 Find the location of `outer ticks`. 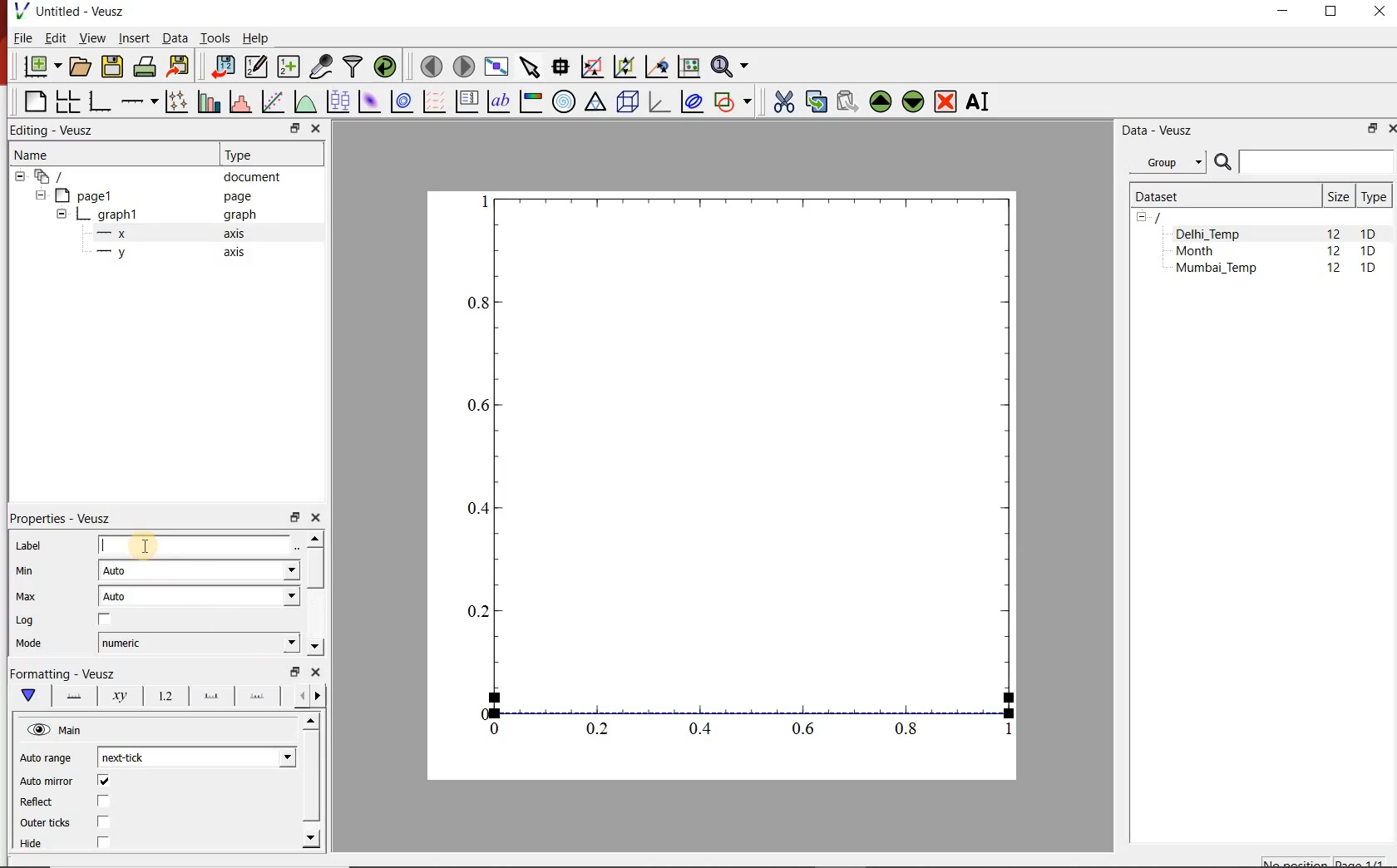

outer ticks is located at coordinates (46, 824).